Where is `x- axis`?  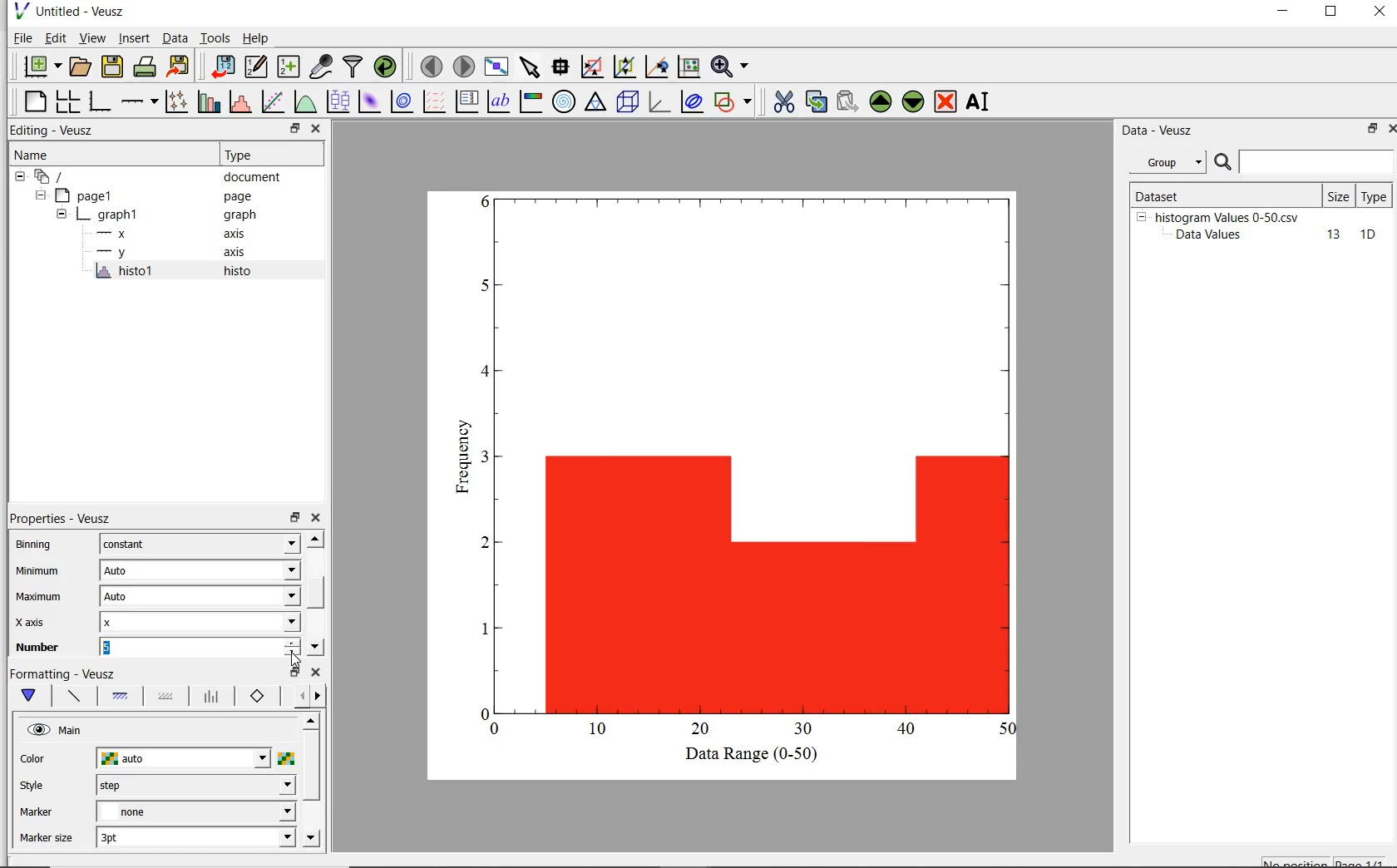 x- axis is located at coordinates (115, 235).